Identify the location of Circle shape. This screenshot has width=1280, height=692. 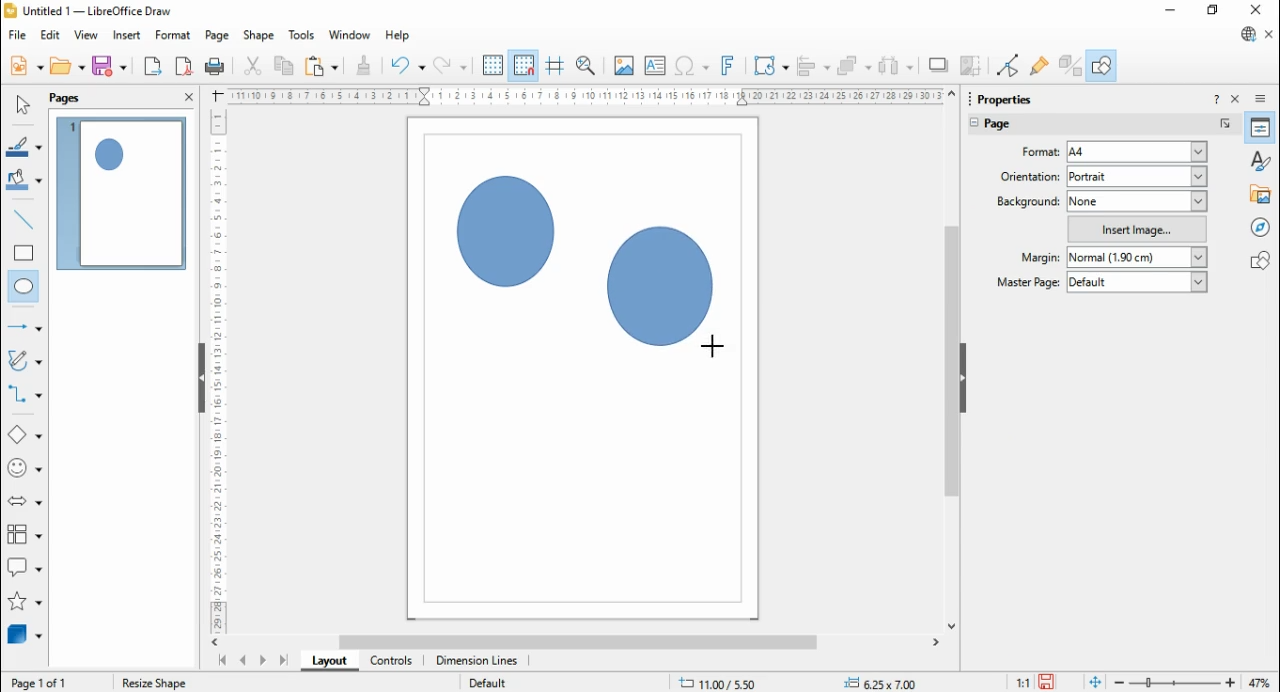
(508, 236).